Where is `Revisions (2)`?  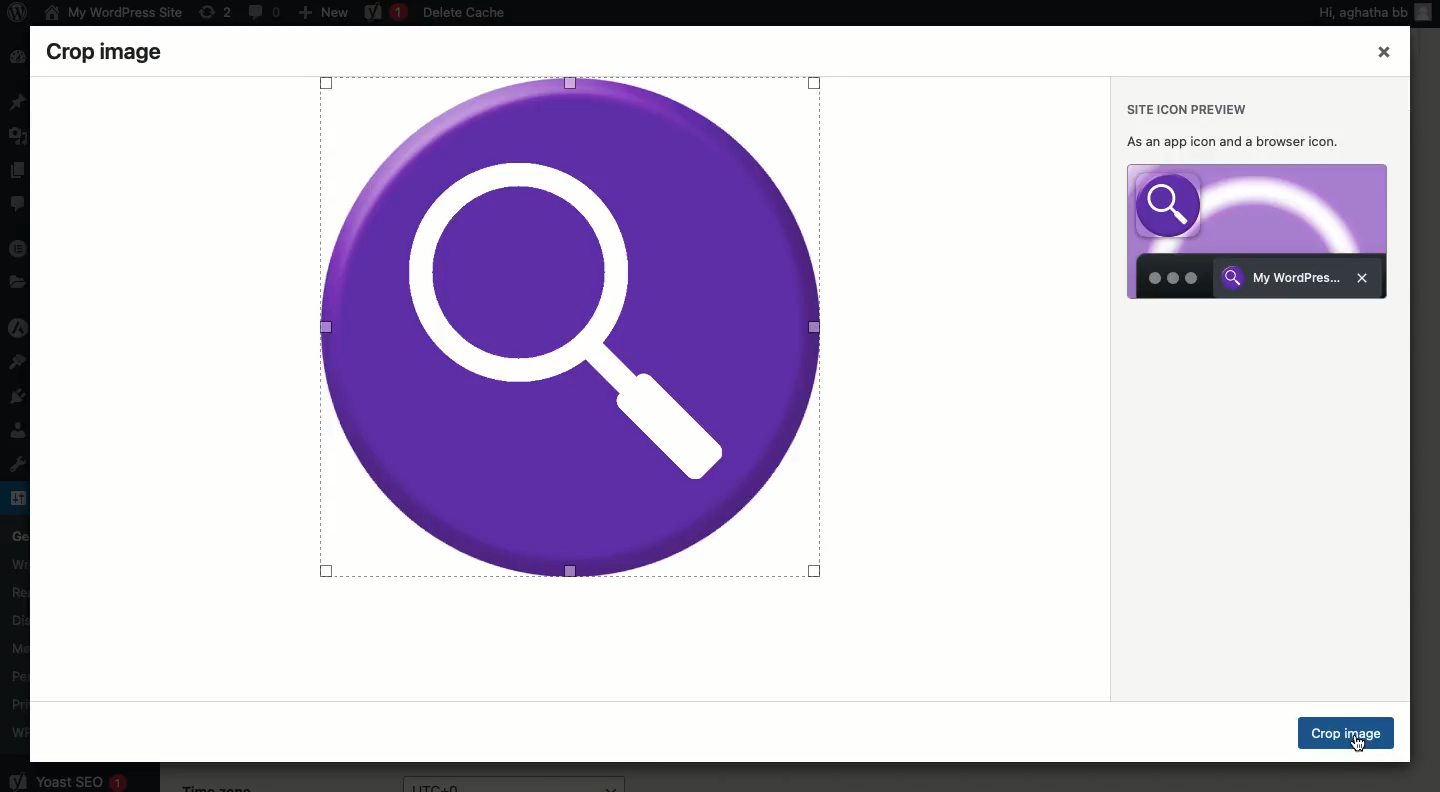
Revisions (2) is located at coordinates (215, 12).